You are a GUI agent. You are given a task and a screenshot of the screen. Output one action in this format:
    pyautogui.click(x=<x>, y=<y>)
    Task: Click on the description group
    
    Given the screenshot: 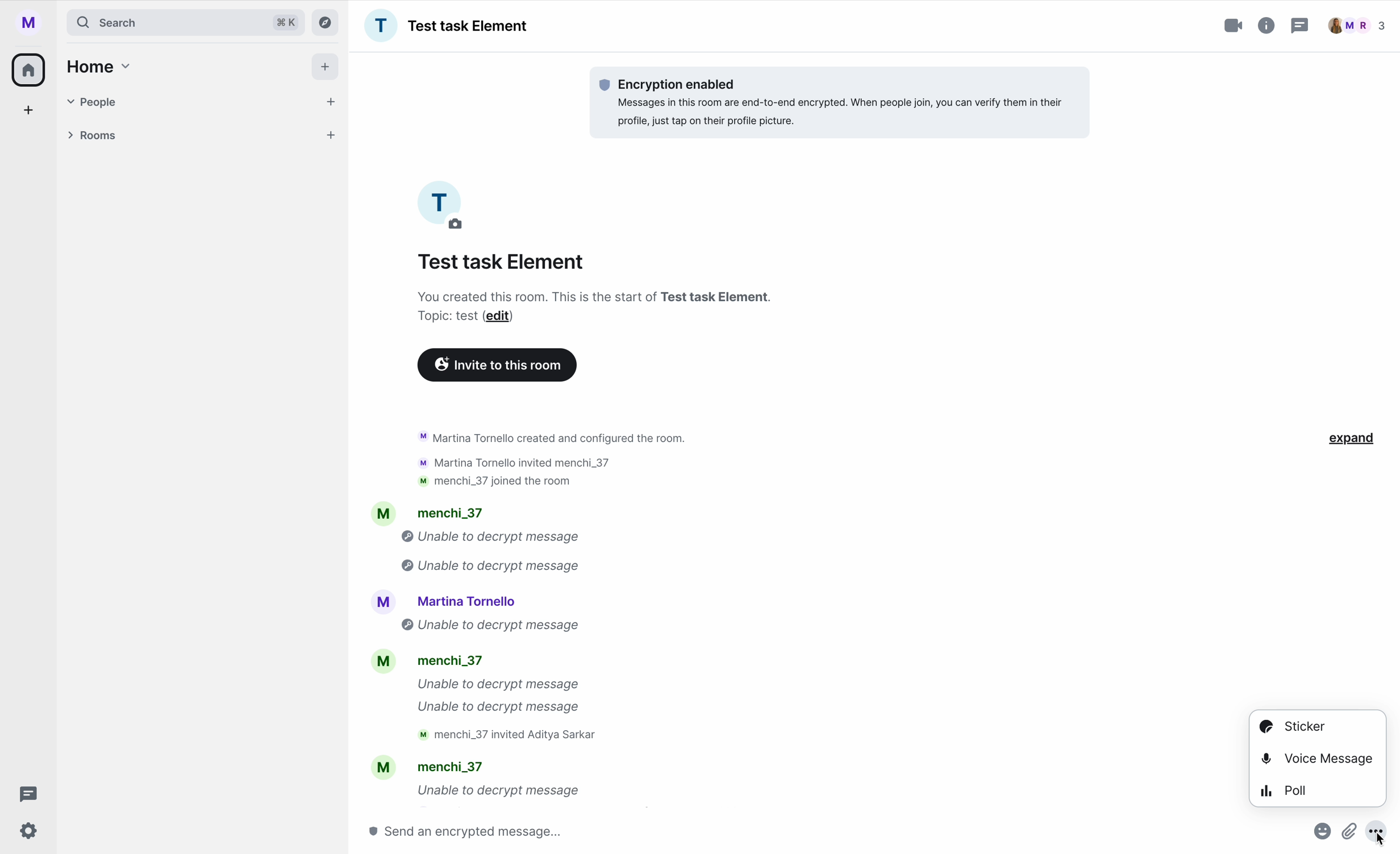 What is the action you would take?
    pyautogui.click(x=598, y=307)
    